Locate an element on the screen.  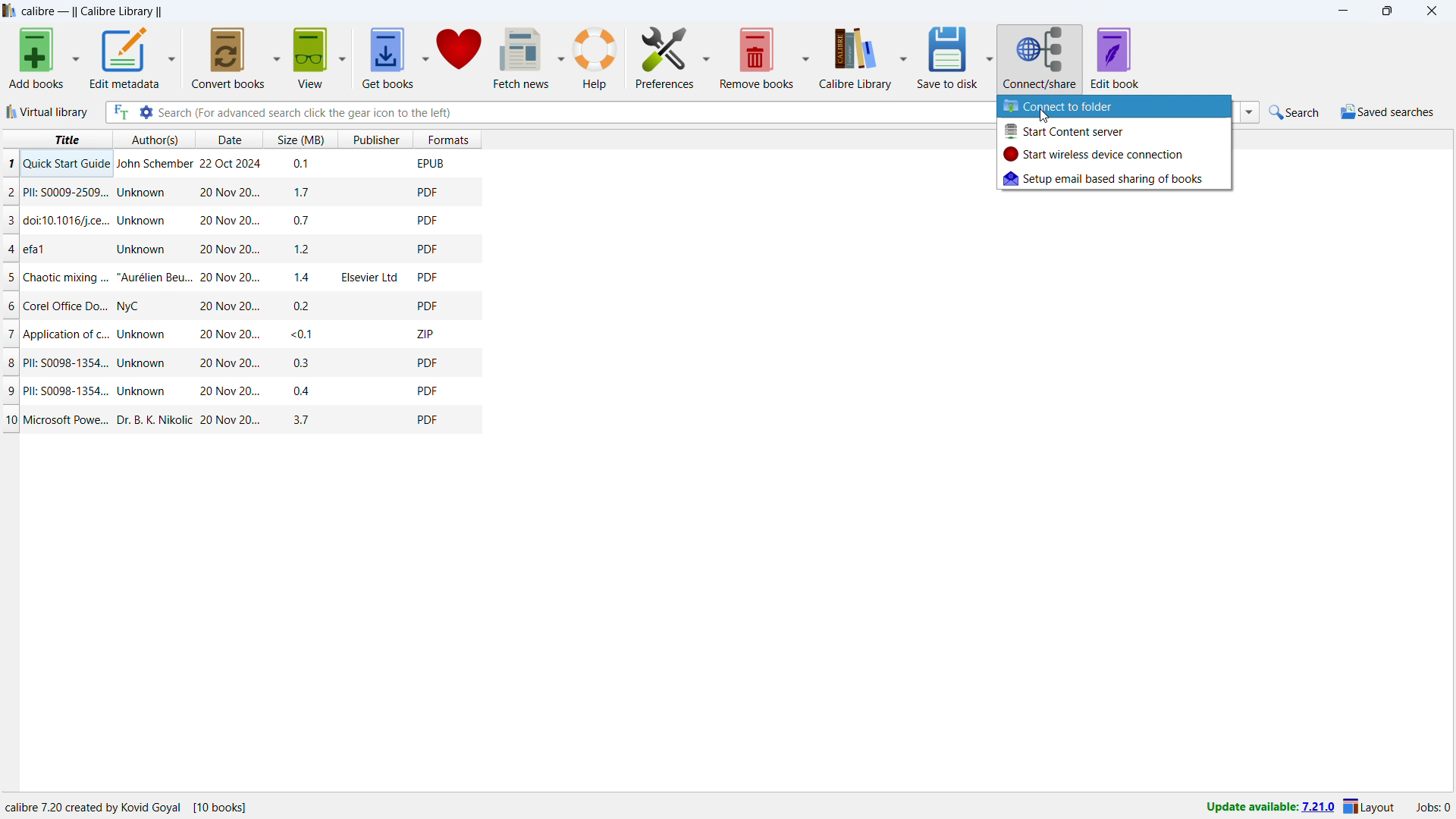
start content server is located at coordinates (1114, 131).